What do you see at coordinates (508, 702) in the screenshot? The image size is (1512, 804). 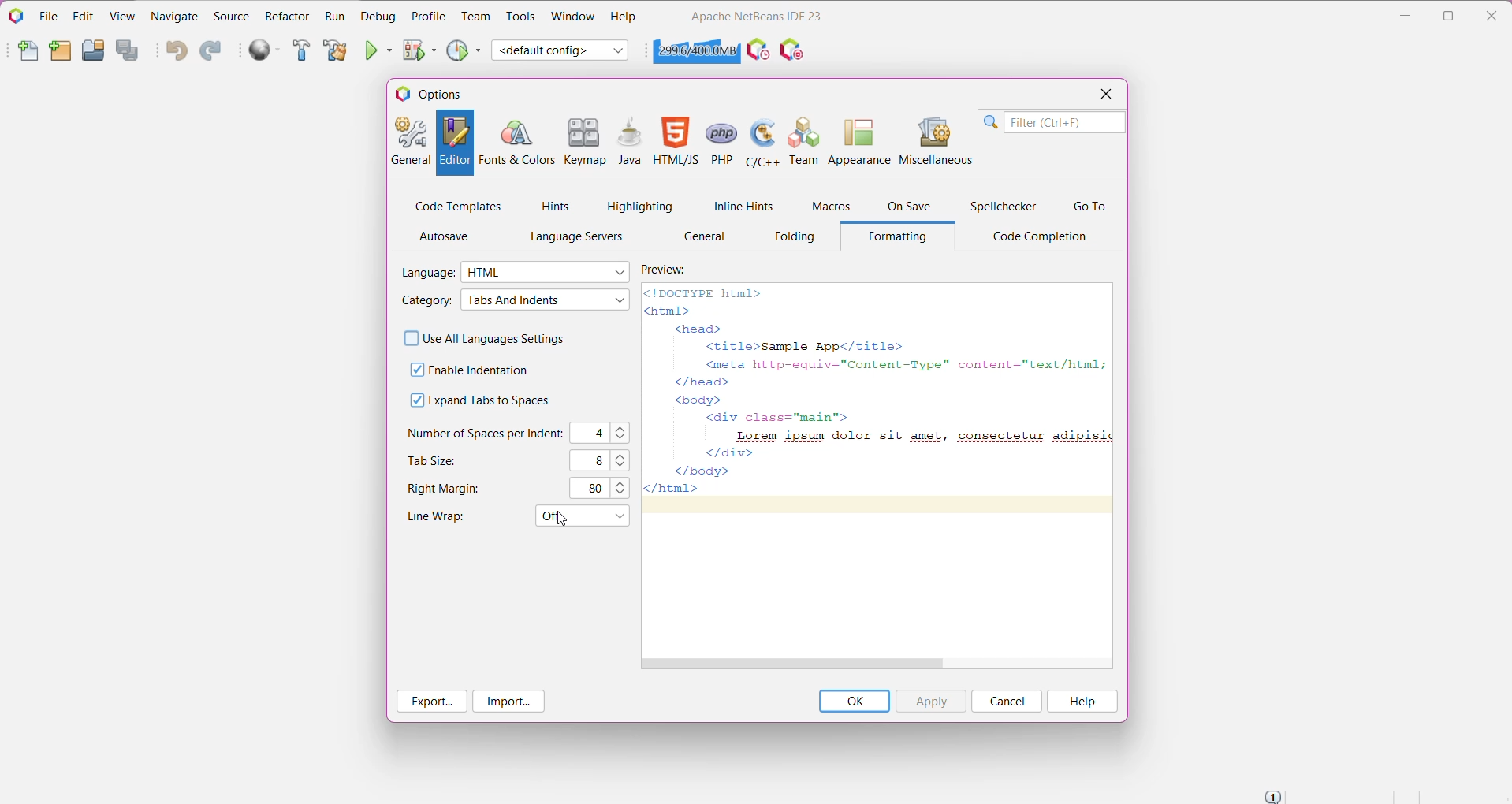 I see `Import` at bounding box center [508, 702].